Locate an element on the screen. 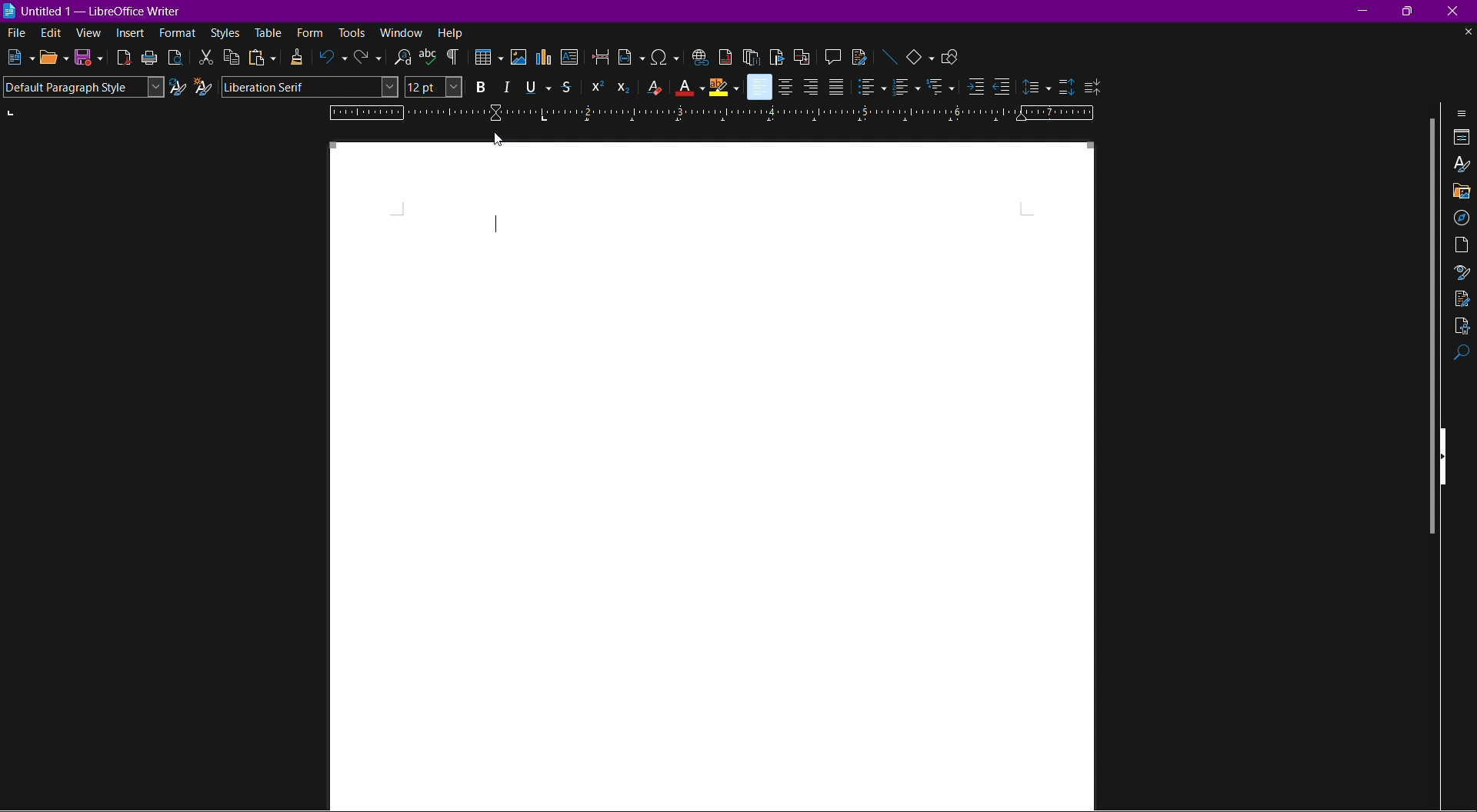 The image size is (1477, 812). Toggle Unordered List is located at coordinates (872, 87).